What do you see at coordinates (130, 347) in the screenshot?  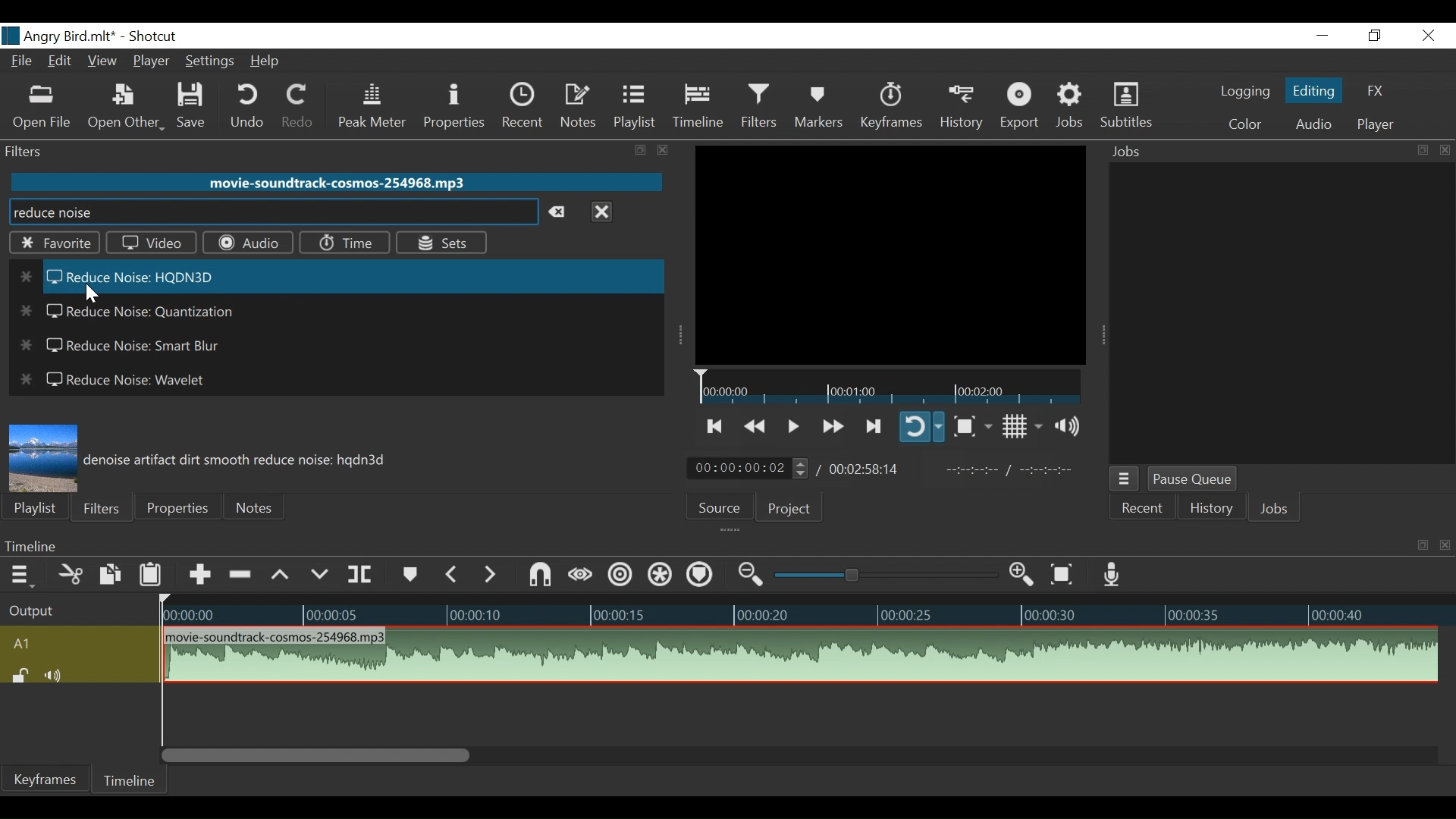 I see `Reduce Noise: Smart Blur` at bounding box center [130, 347].